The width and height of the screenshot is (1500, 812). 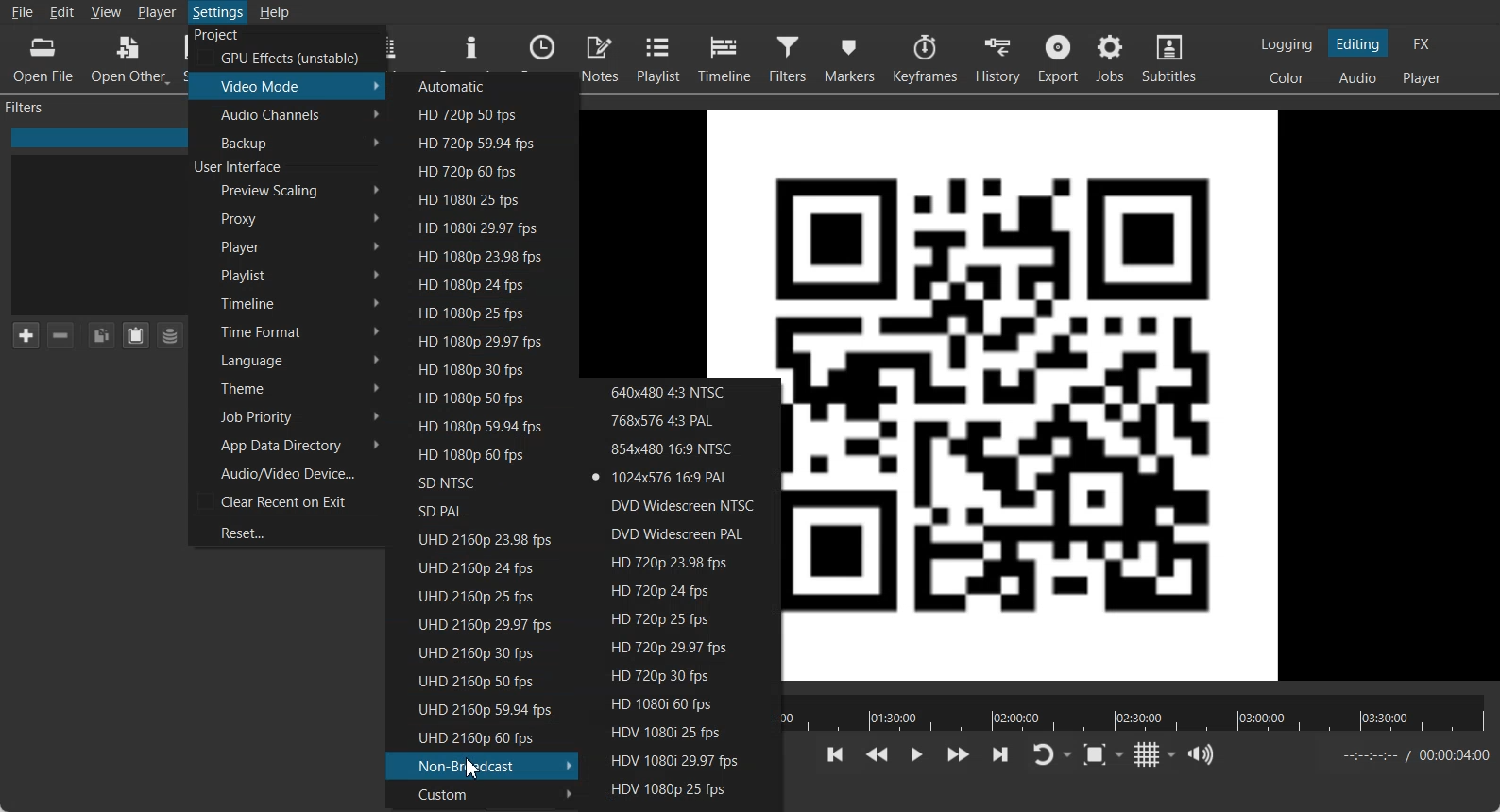 I want to click on Remove selected Filter, so click(x=62, y=335).